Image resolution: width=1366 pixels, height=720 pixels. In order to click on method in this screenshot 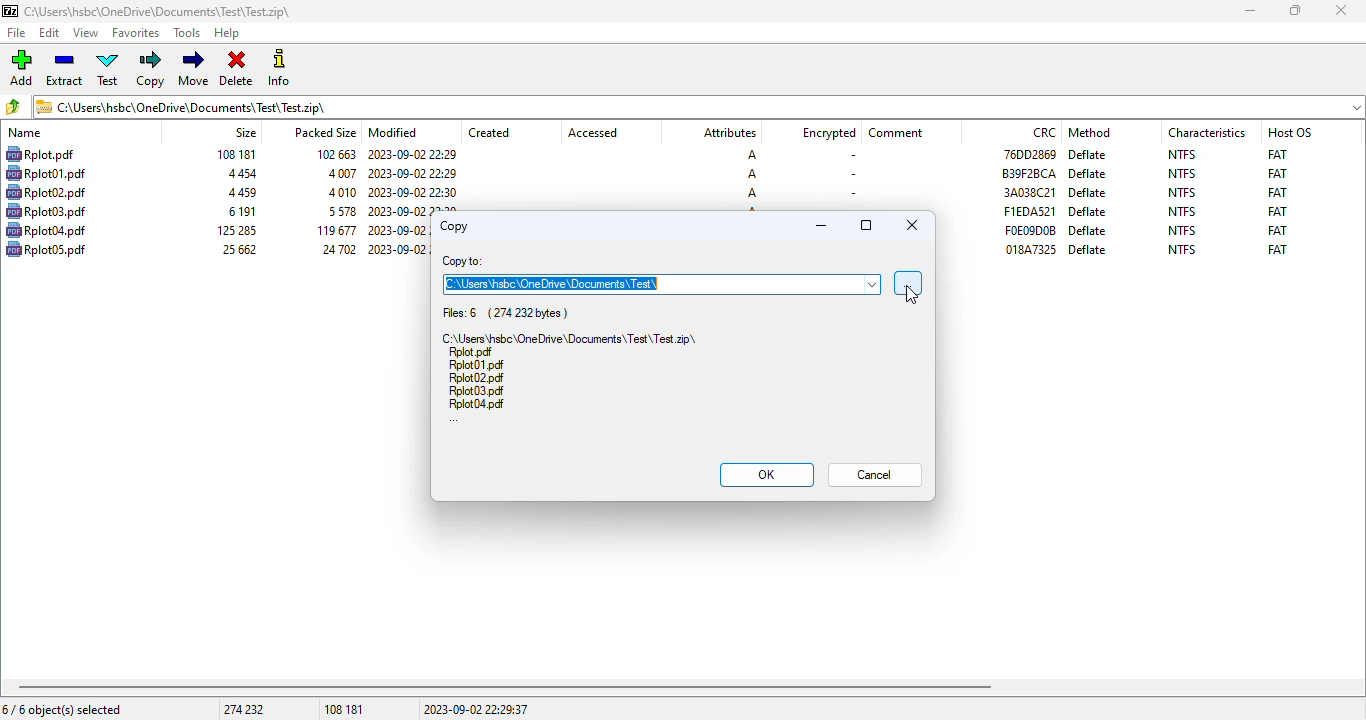, I will do `click(1089, 132)`.